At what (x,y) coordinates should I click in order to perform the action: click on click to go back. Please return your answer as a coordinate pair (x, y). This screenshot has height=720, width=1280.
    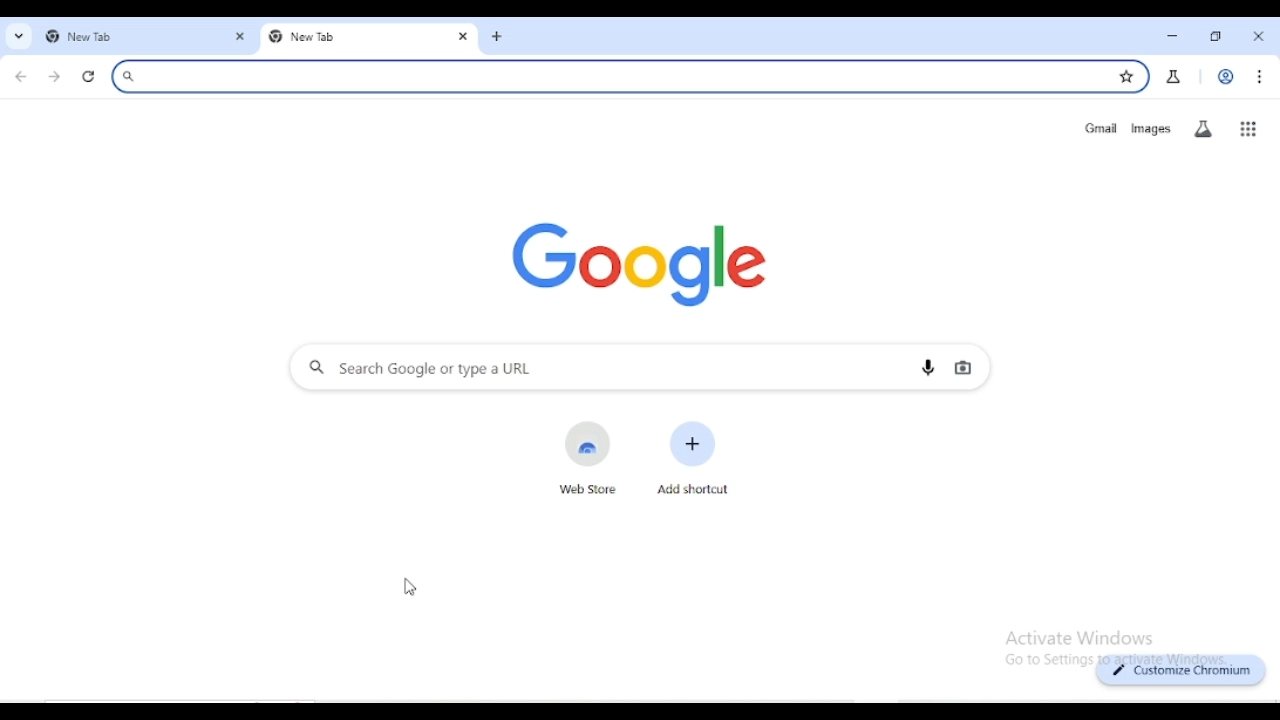
    Looking at the image, I should click on (21, 77).